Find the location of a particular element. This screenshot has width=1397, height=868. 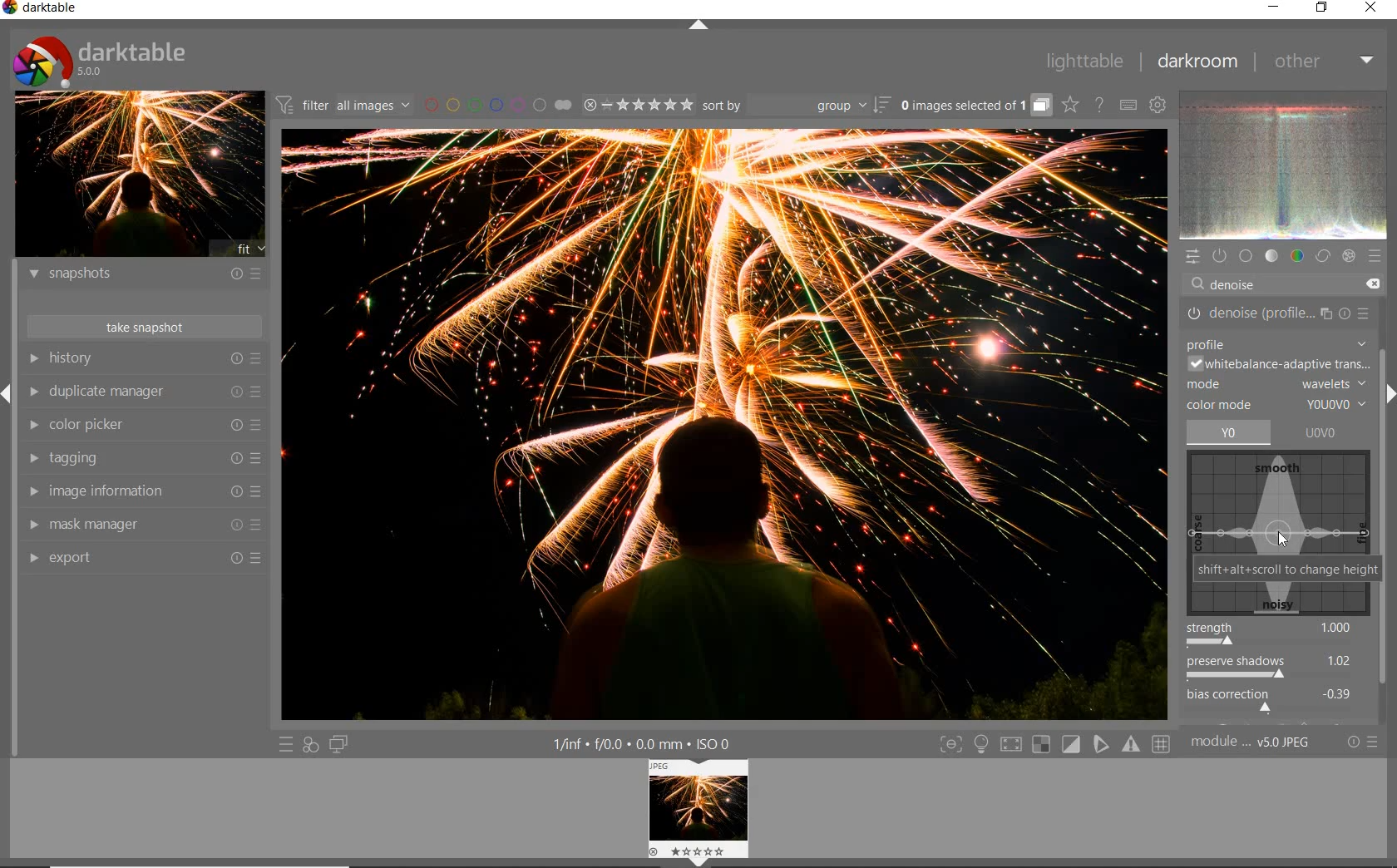

reset or presets and preferences is located at coordinates (1365, 743).